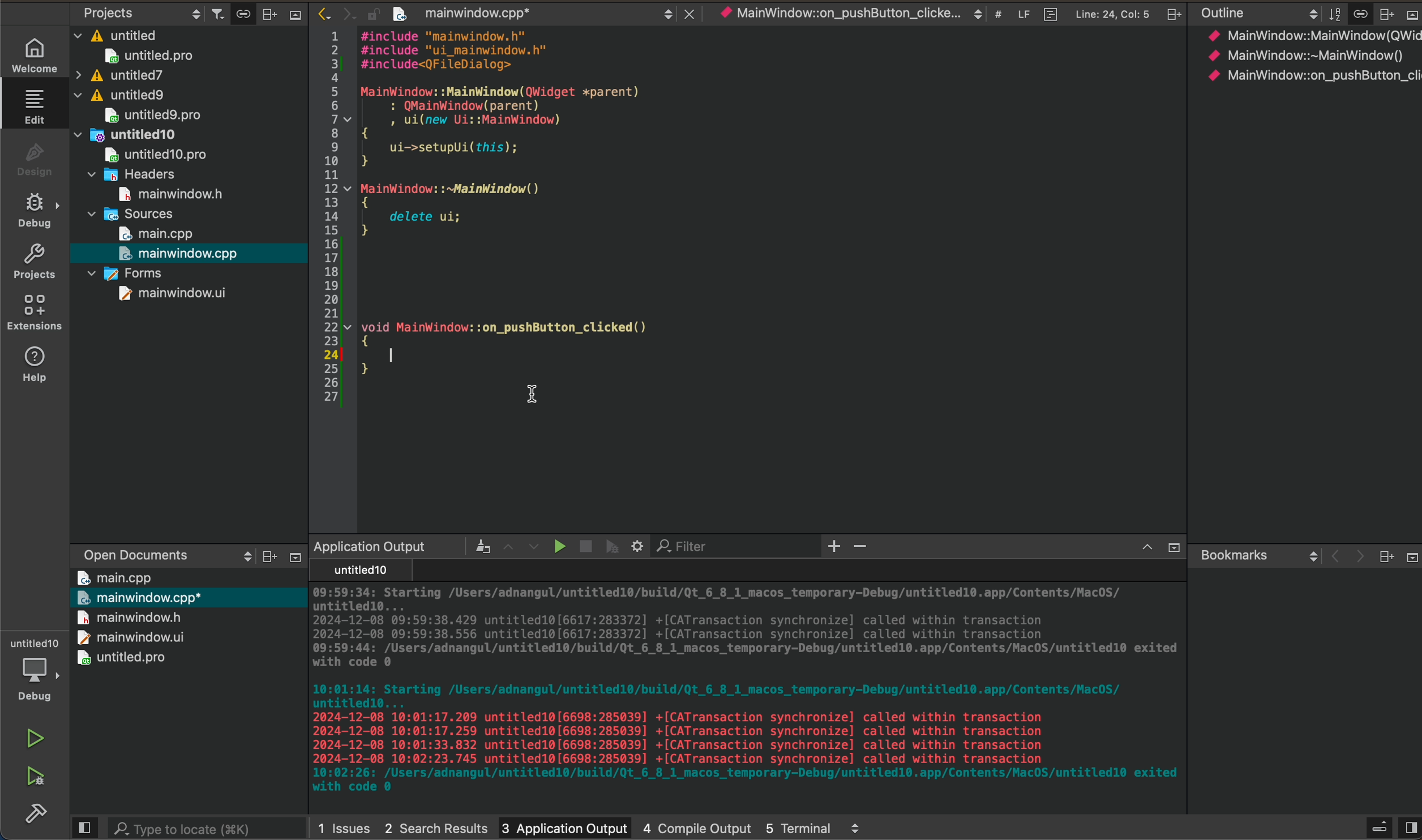 This screenshot has height=840, width=1422. I want to click on , so click(293, 18).